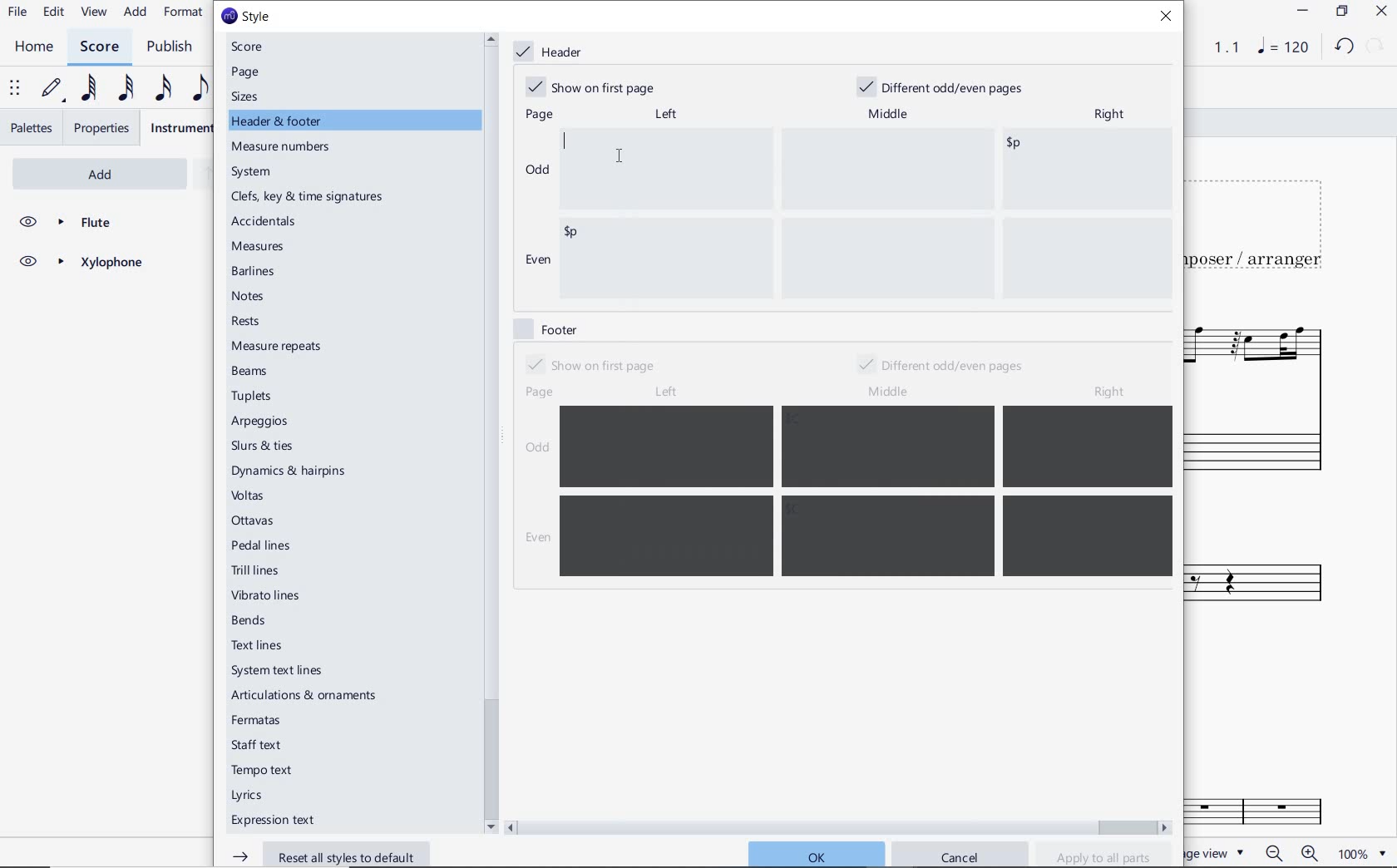 This screenshot has width=1397, height=868. Describe the element at coordinates (960, 855) in the screenshot. I see `cancel` at that location.